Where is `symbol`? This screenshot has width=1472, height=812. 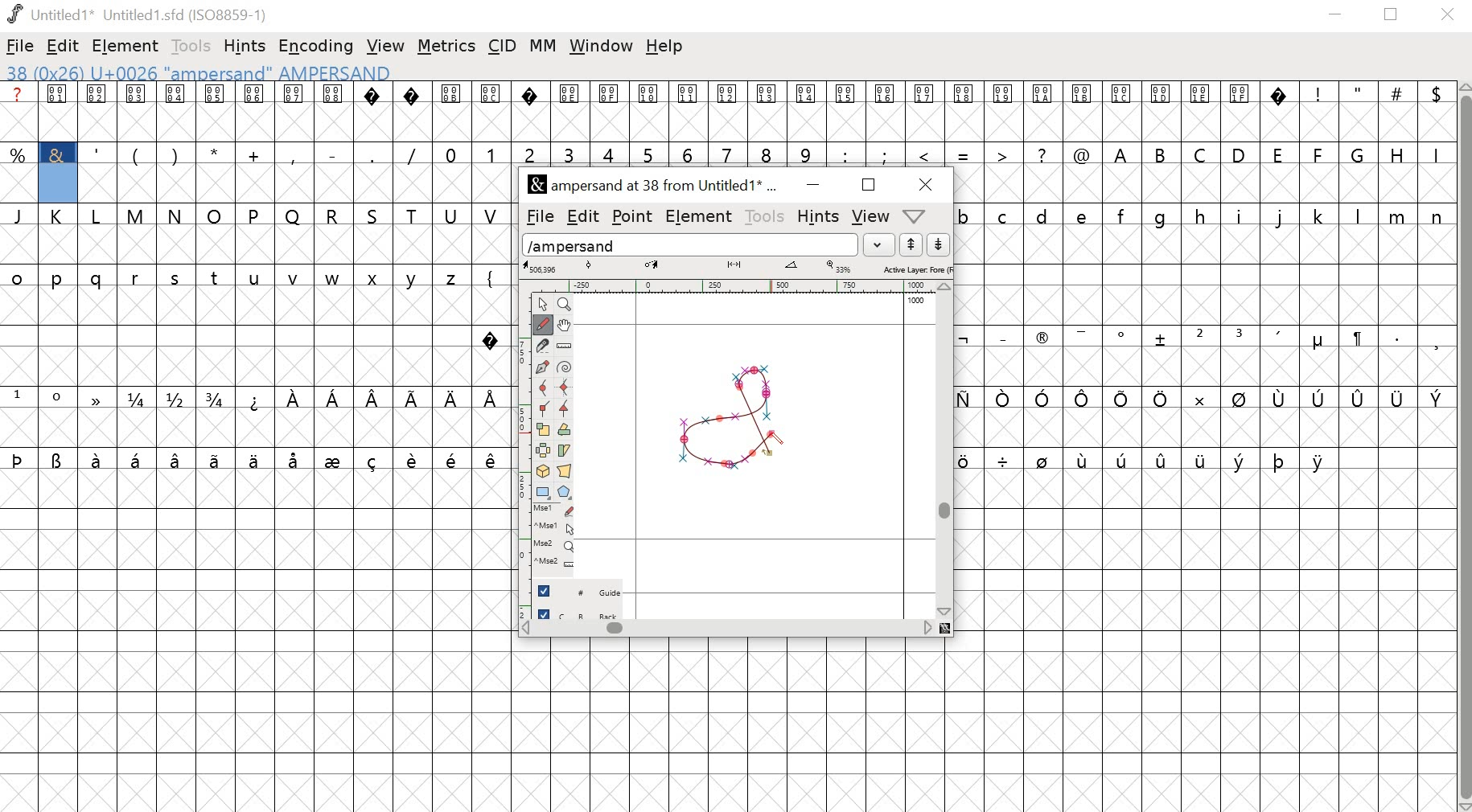
symbol is located at coordinates (1356, 338).